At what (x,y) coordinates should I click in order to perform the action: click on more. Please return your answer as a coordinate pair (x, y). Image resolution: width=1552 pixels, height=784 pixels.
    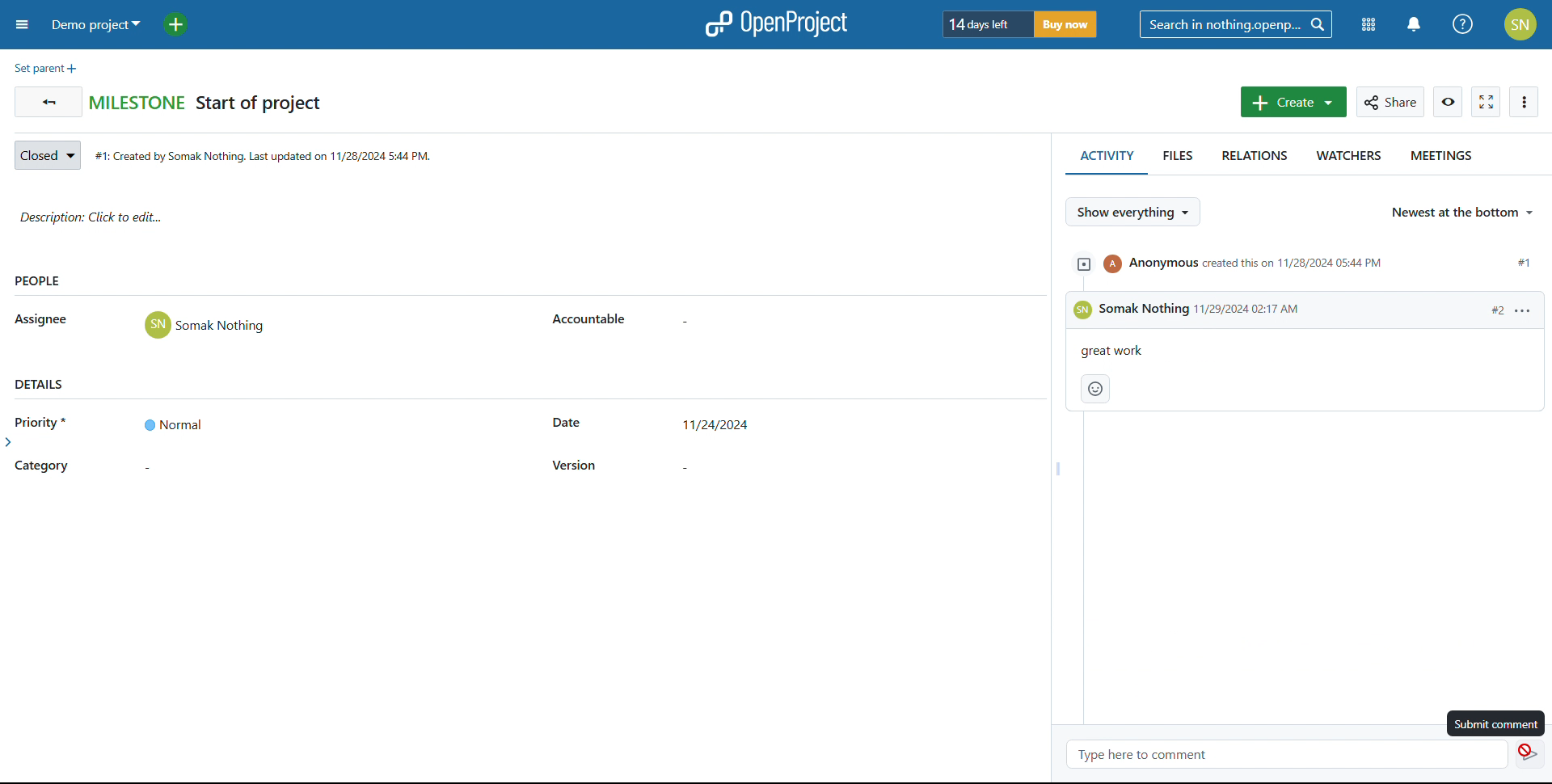
    Looking at the image, I should click on (1523, 311).